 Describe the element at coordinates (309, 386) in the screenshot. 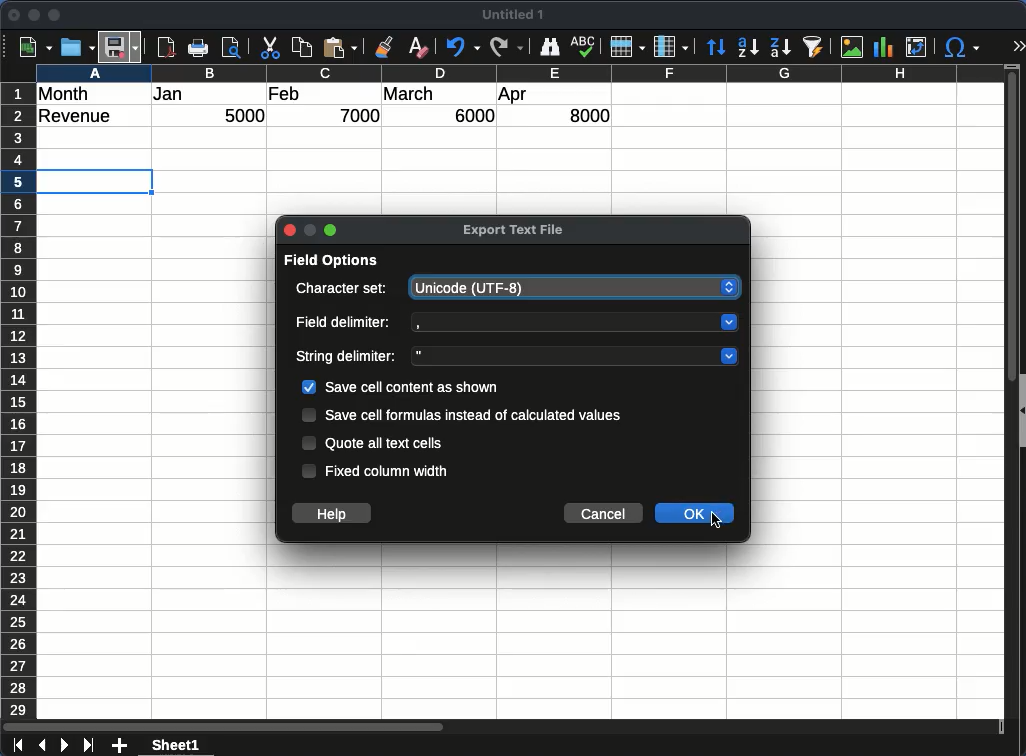

I see `checkbox ` at that location.